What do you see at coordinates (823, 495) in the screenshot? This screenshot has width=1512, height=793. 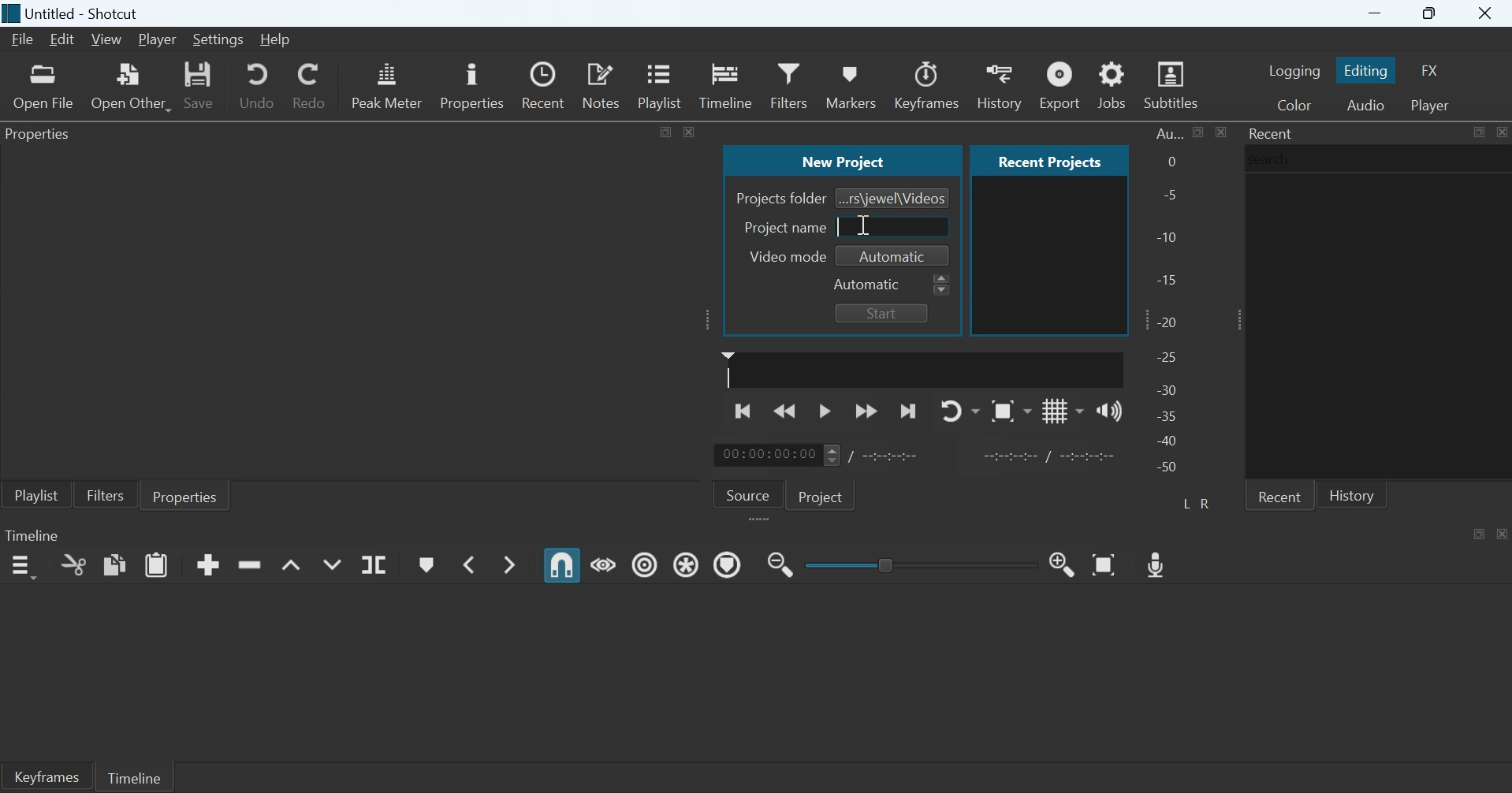 I see `Project` at bounding box center [823, 495].